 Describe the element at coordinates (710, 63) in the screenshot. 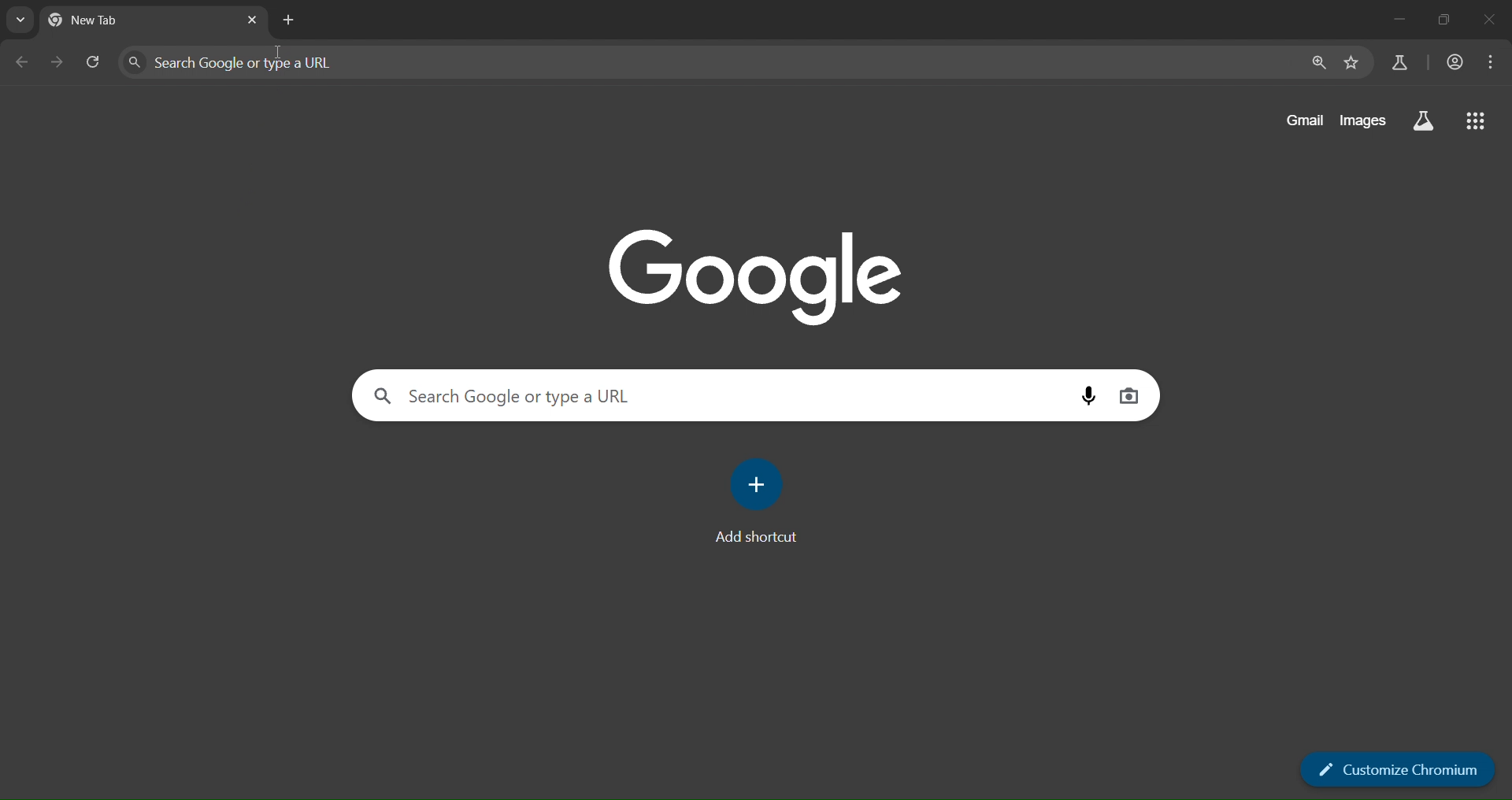

I see `search google or type a URL` at that location.